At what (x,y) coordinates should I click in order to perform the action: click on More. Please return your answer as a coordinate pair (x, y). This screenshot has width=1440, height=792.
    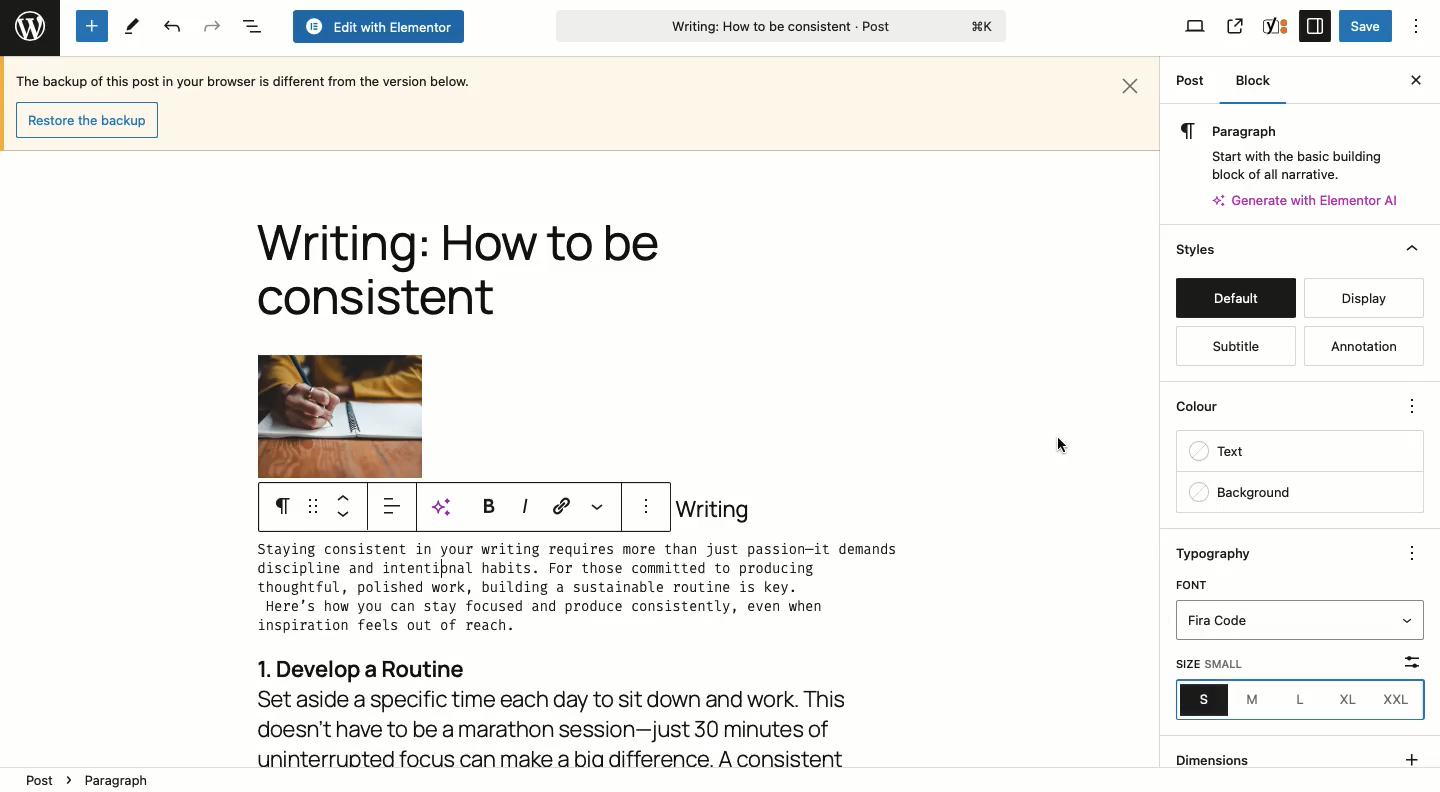
    Looking at the image, I should click on (596, 505).